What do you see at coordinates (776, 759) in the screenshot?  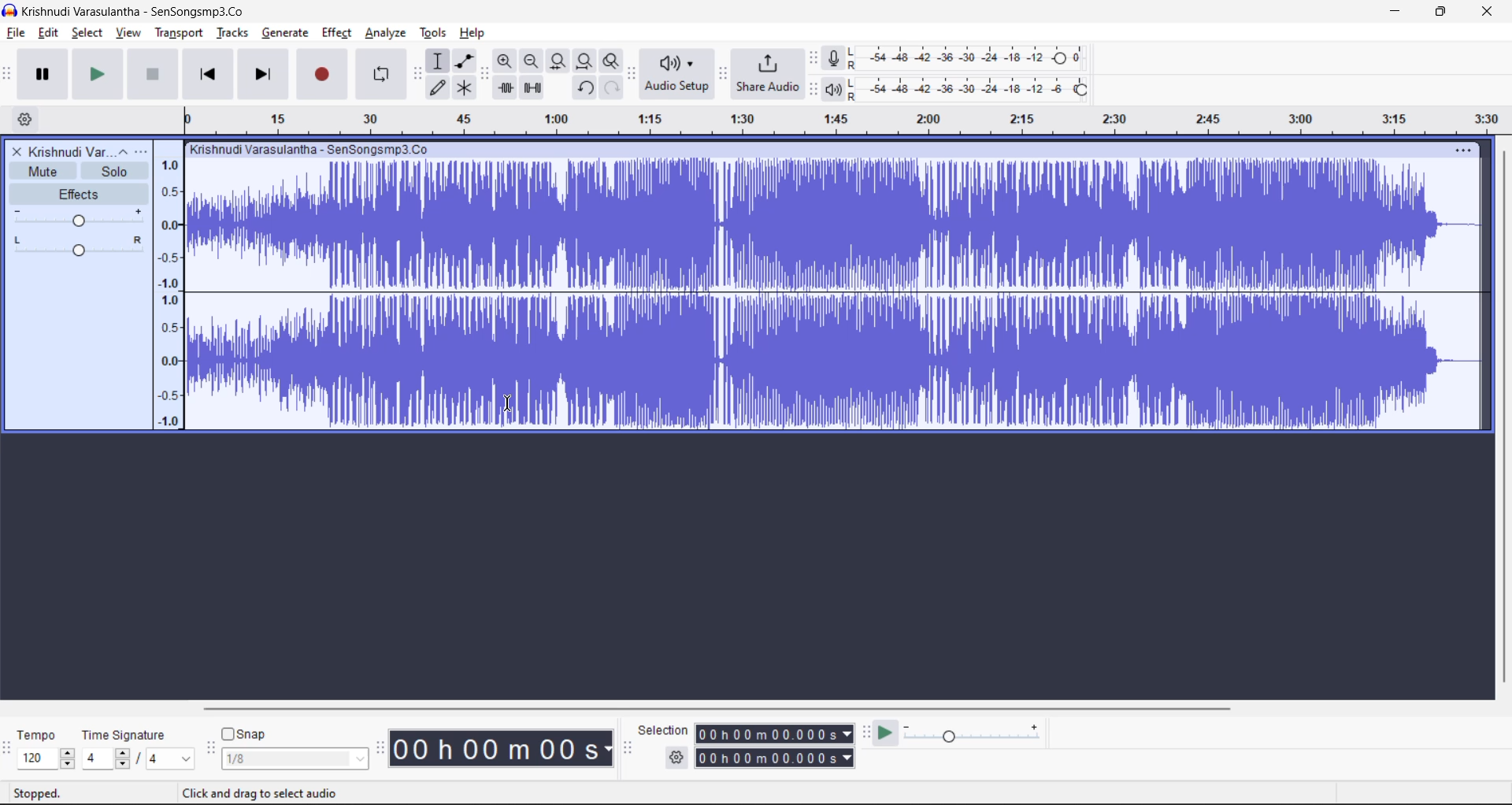 I see `00 h 00m 00.000s` at bounding box center [776, 759].